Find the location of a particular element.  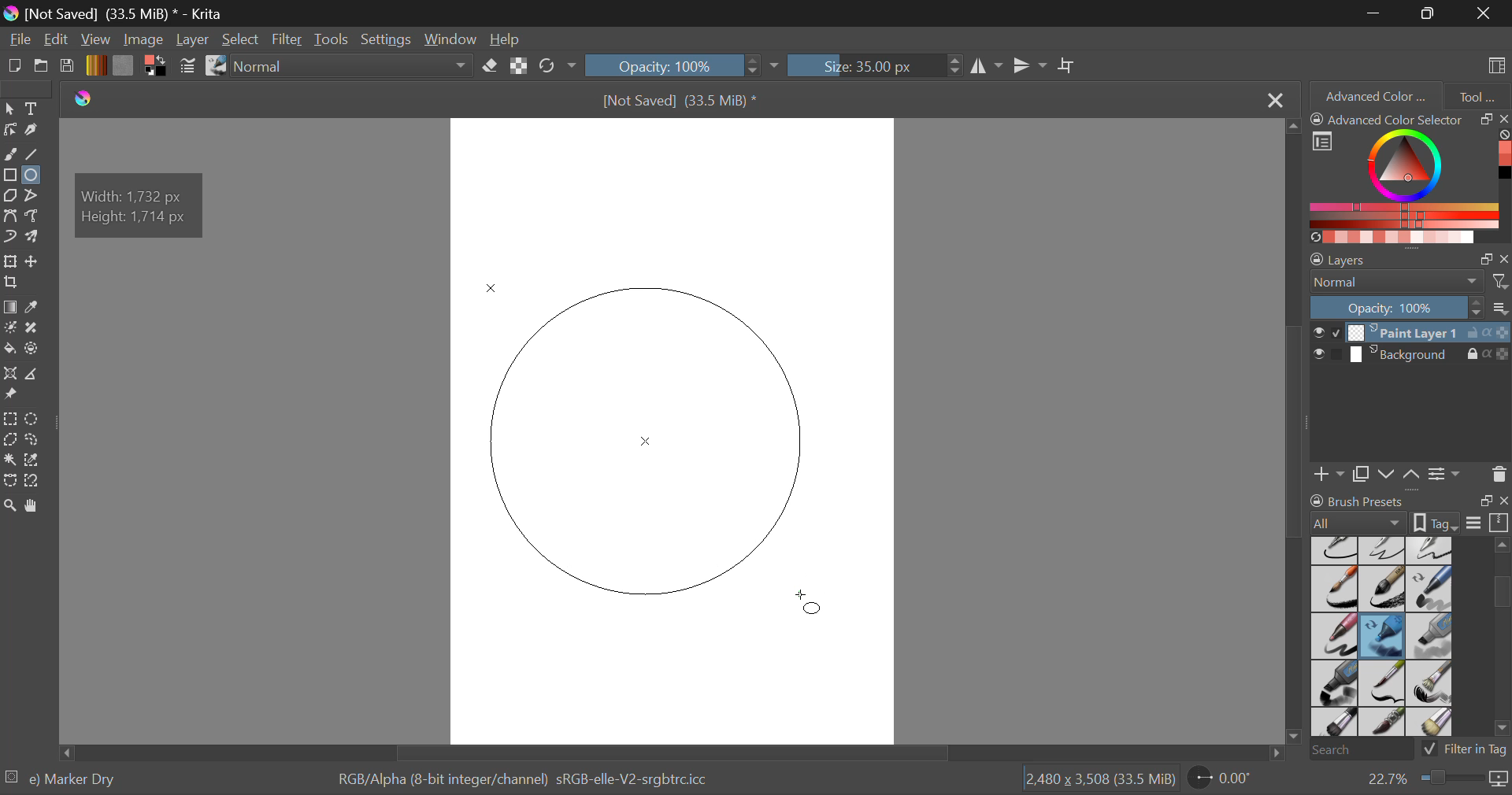

Zoom Tool is located at coordinates (10, 505).